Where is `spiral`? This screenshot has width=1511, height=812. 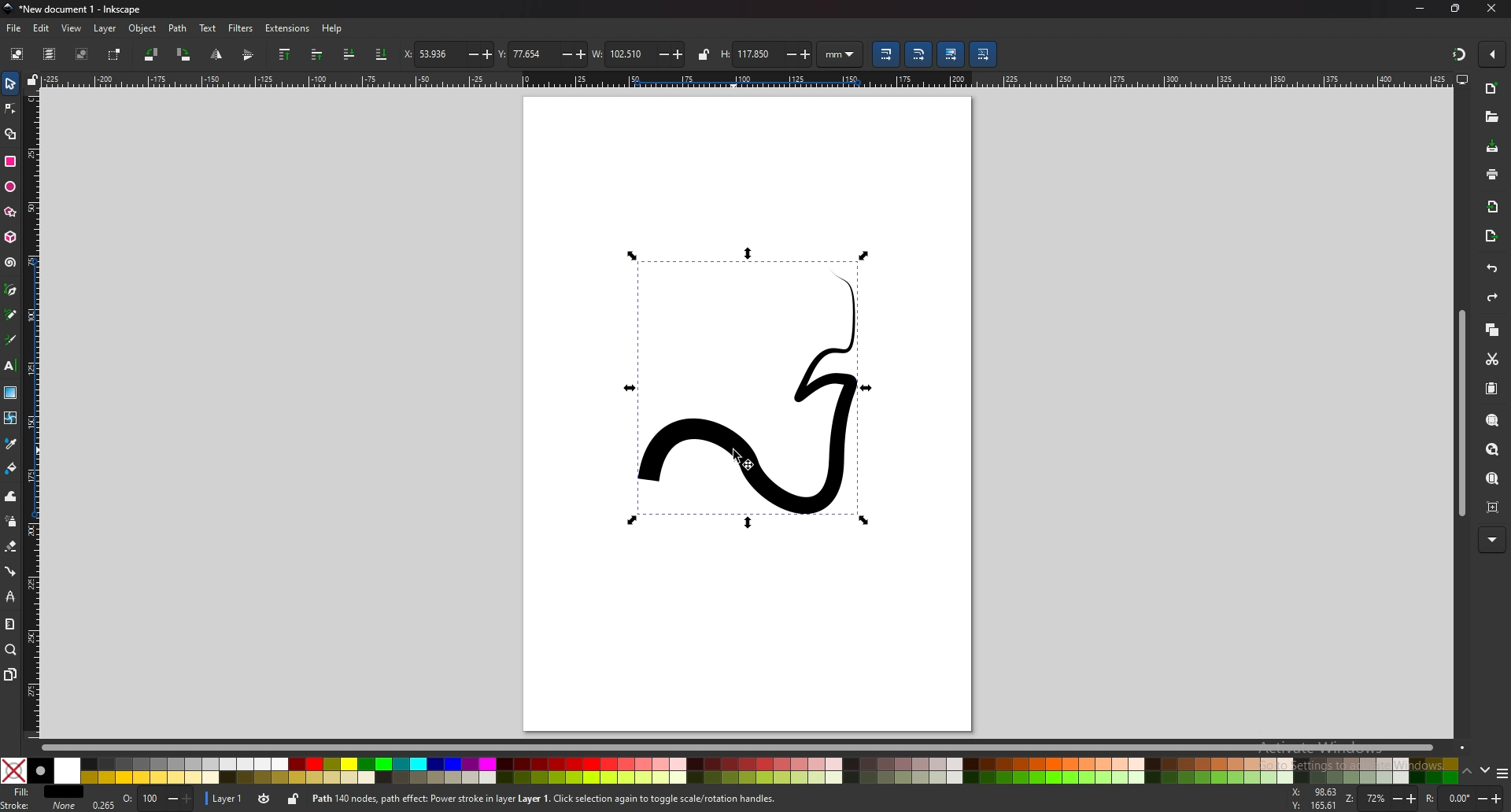 spiral is located at coordinates (10, 263).